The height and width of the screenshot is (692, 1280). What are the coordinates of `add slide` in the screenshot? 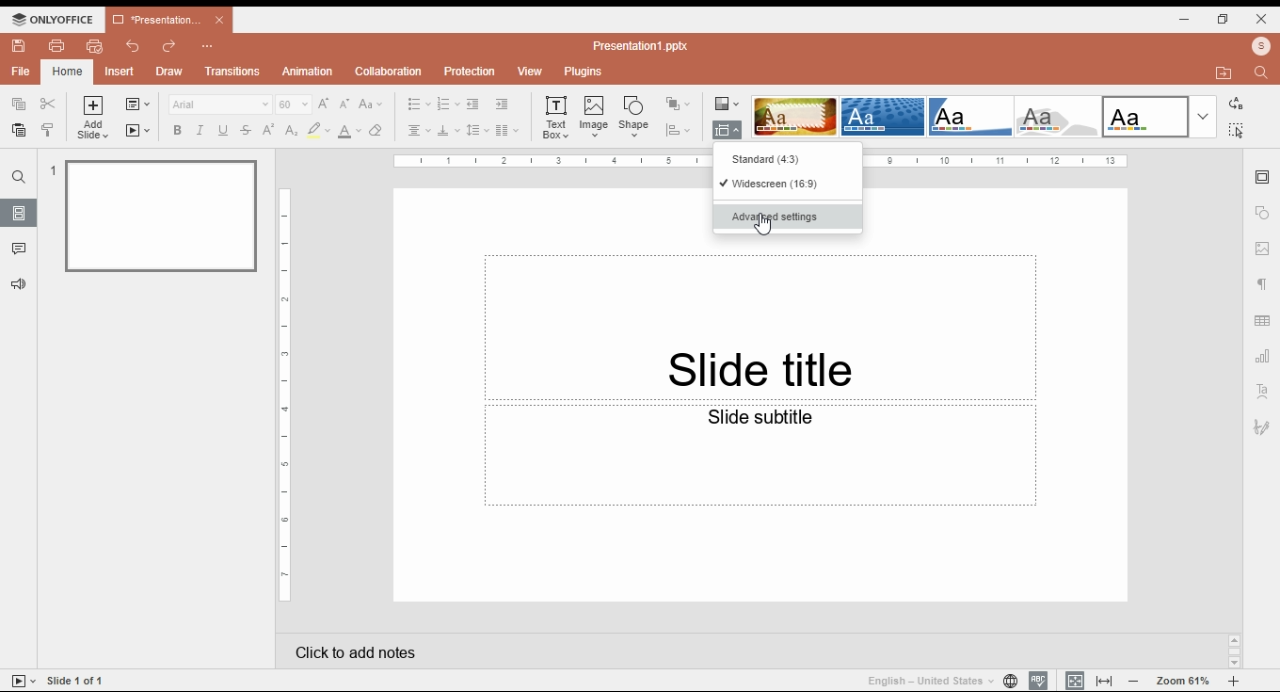 It's located at (95, 118).